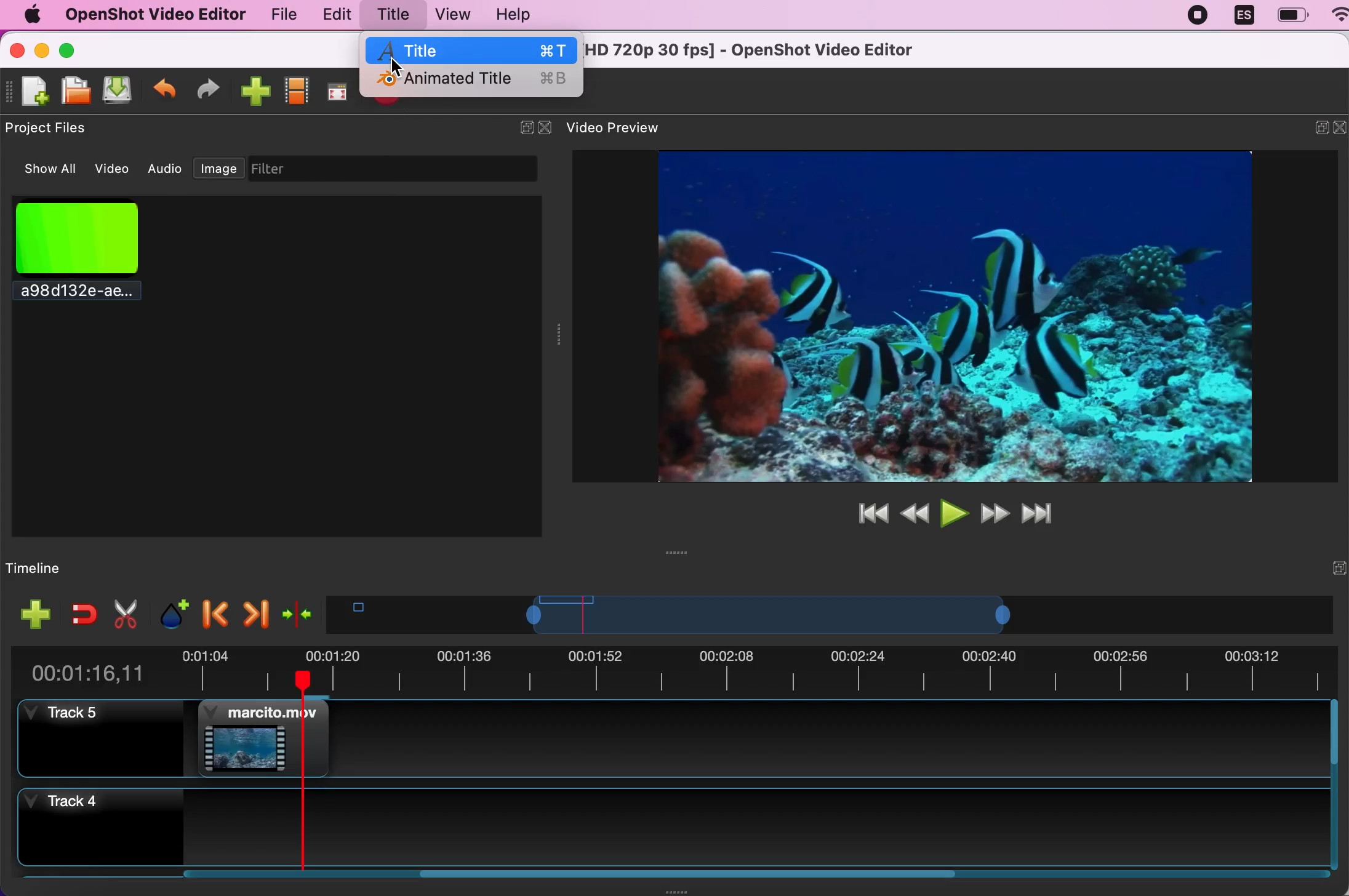  What do you see at coordinates (52, 129) in the screenshot?
I see `project files` at bounding box center [52, 129].